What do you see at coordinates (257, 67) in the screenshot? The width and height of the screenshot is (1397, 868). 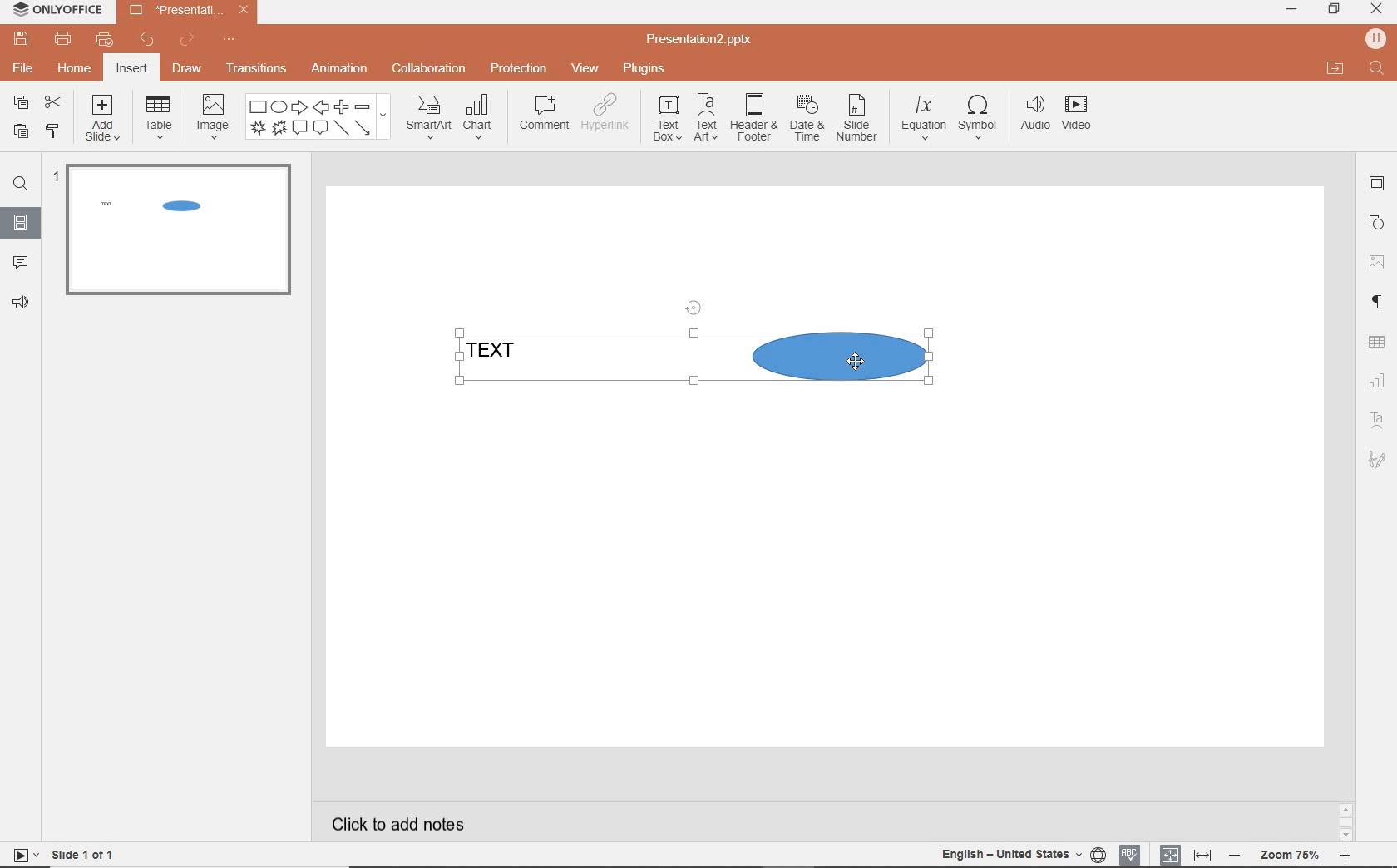 I see `transitions` at bounding box center [257, 67].